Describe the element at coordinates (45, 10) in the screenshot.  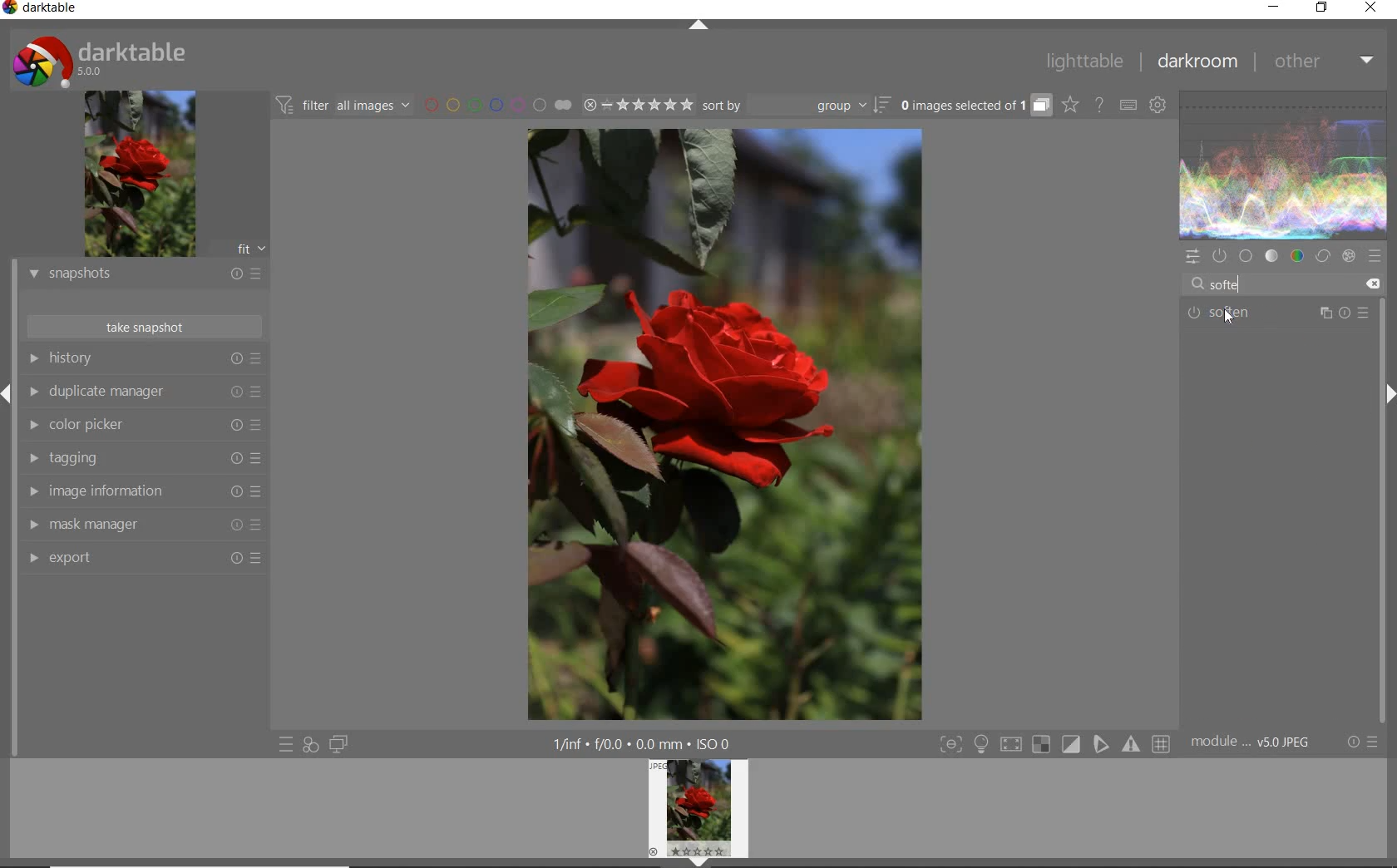
I see `system name` at that location.